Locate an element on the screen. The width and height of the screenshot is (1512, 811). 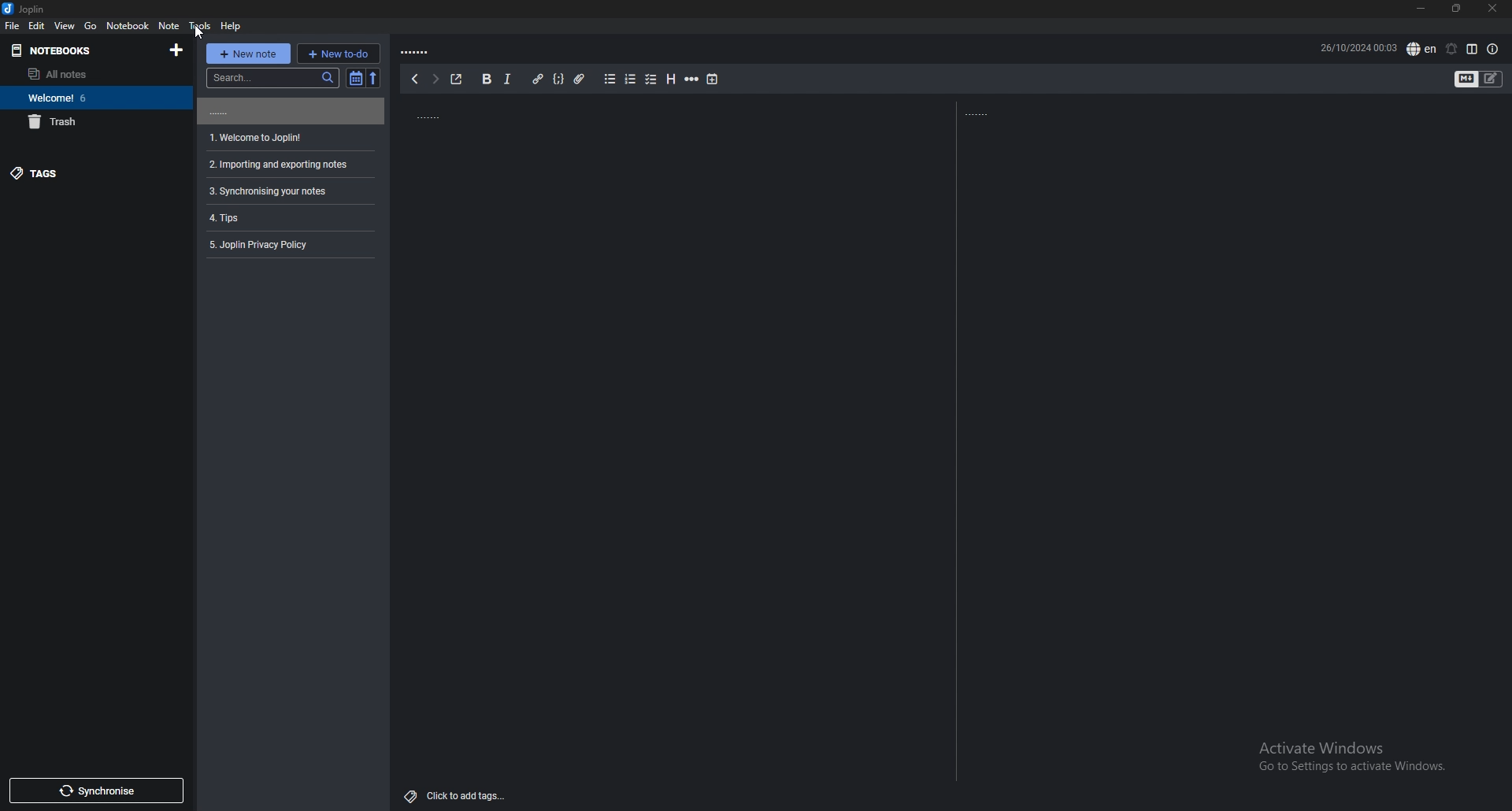
toggle editors is located at coordinates (1491, 79).